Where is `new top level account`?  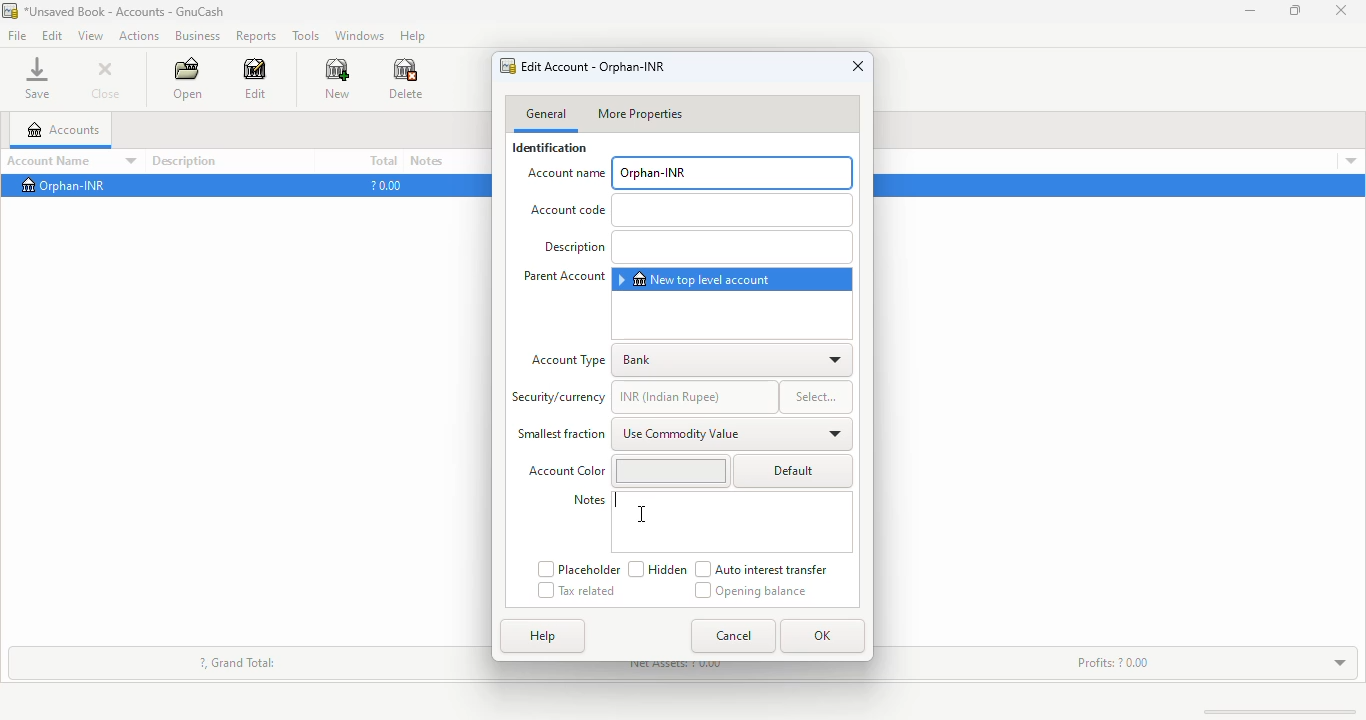 new top level account is located at coordinates (695, 279).